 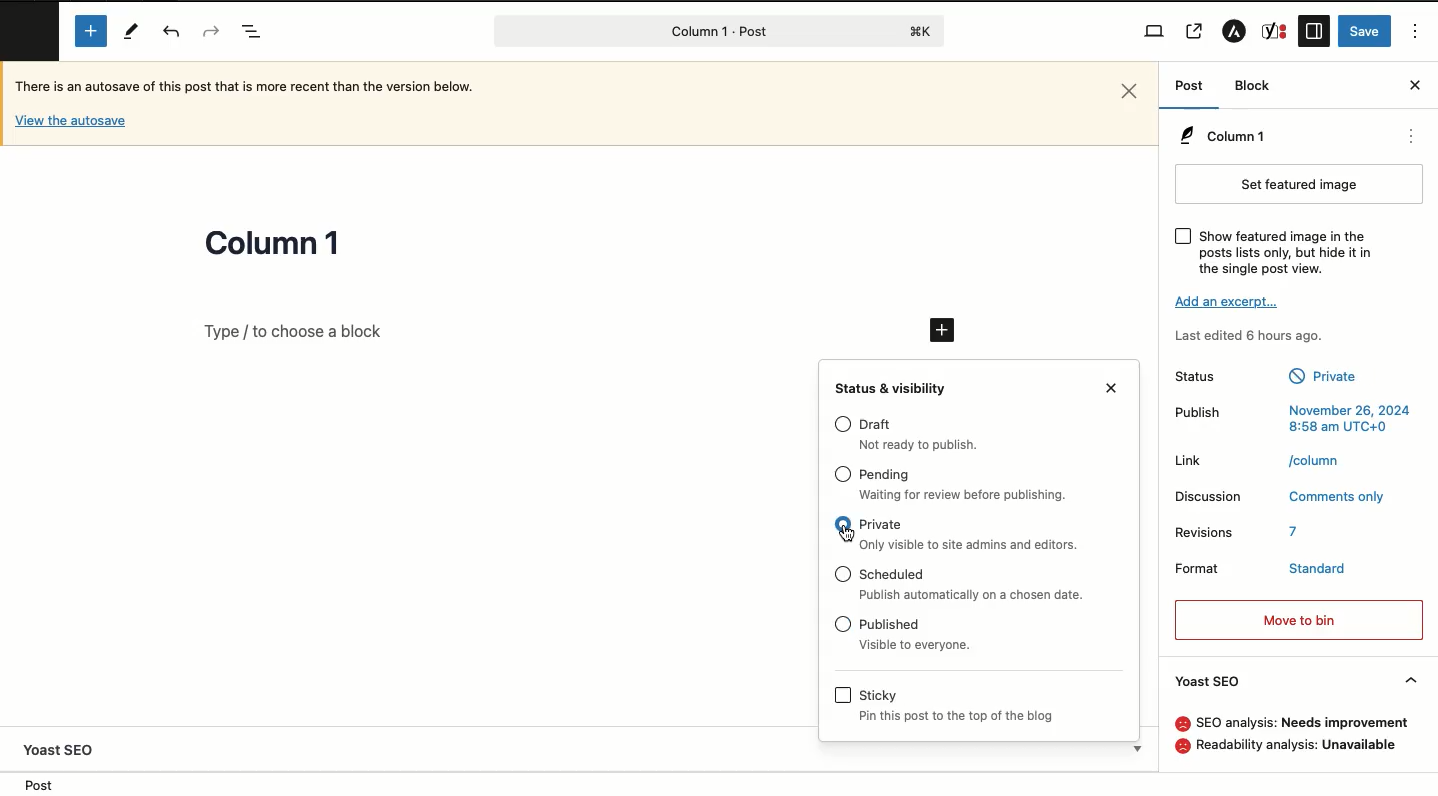 What do you see at coordinates (986, 715) in the screenshot?
I see `Password protected` at bounding box center [986, 715].